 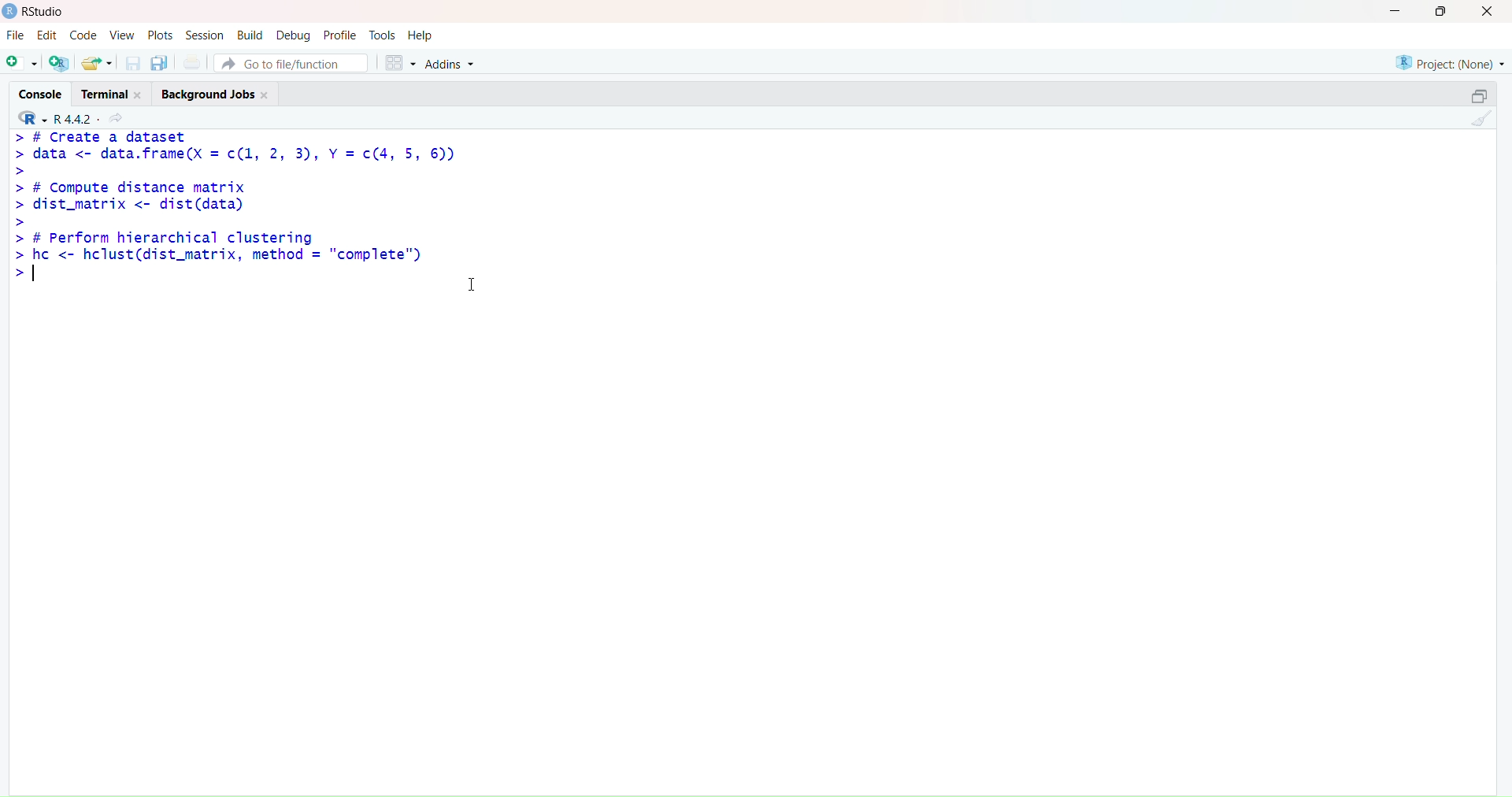 I want to click on Go to file/function, so click(x=296, y=61).